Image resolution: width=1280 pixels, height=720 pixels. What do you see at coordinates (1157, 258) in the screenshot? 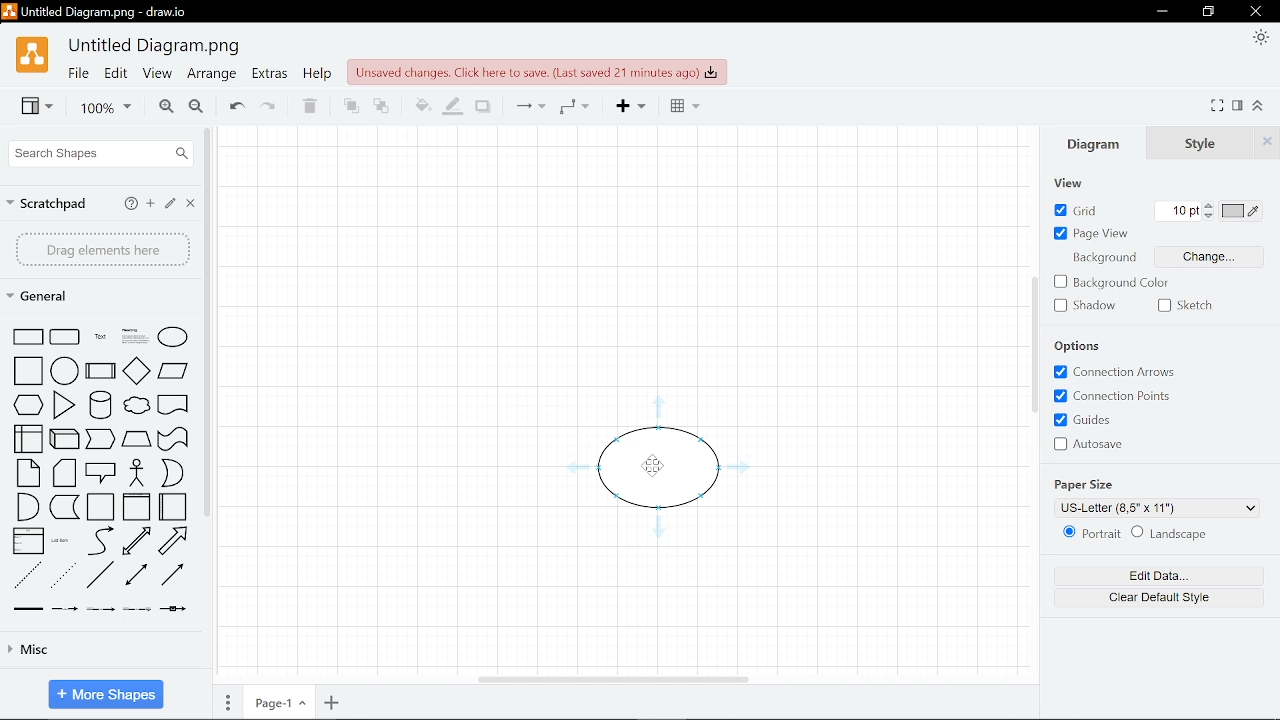
I see `Change background` at bounding box center [1157, 258].